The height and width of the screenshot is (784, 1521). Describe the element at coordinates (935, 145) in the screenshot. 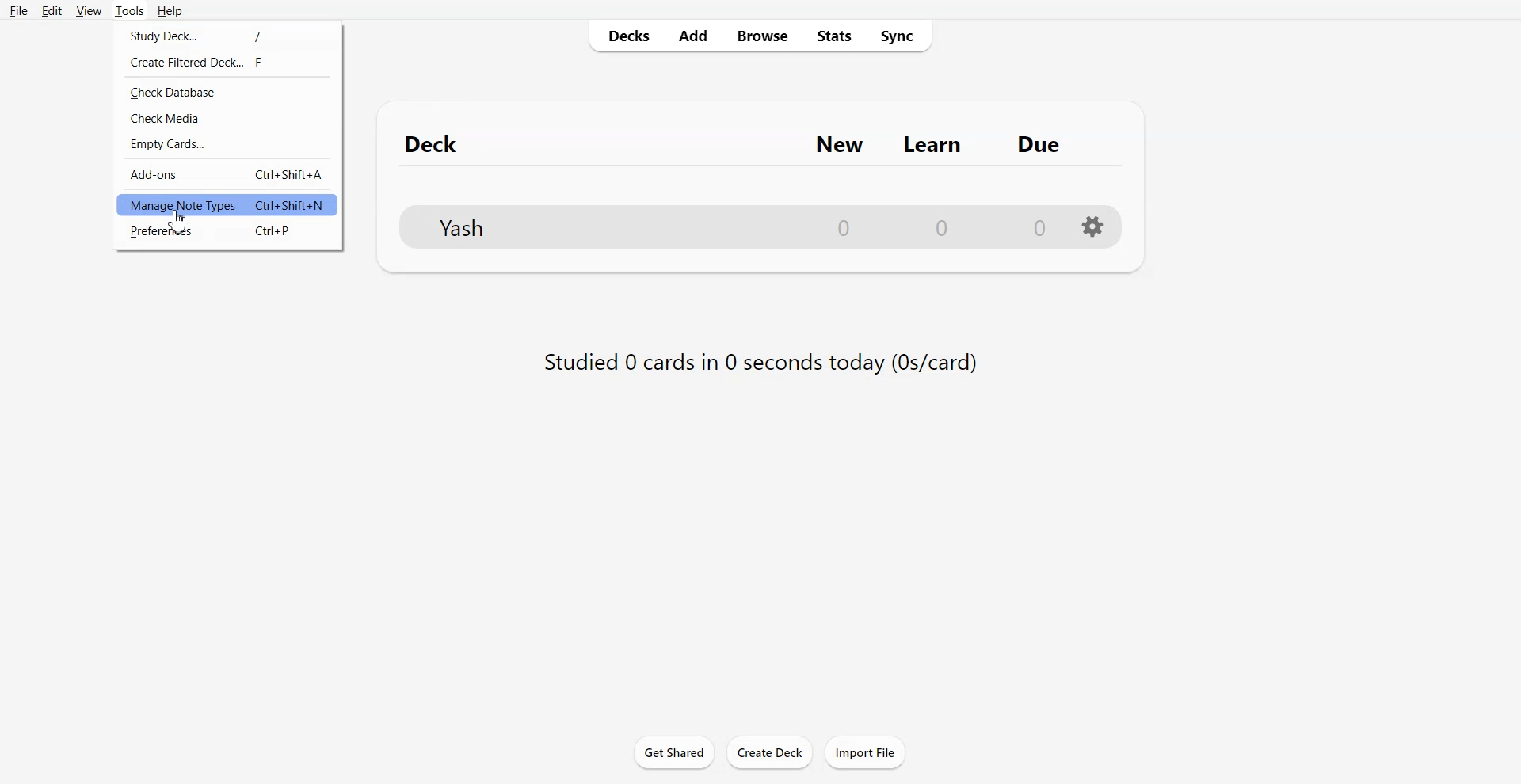

I see `Learn` at that location.